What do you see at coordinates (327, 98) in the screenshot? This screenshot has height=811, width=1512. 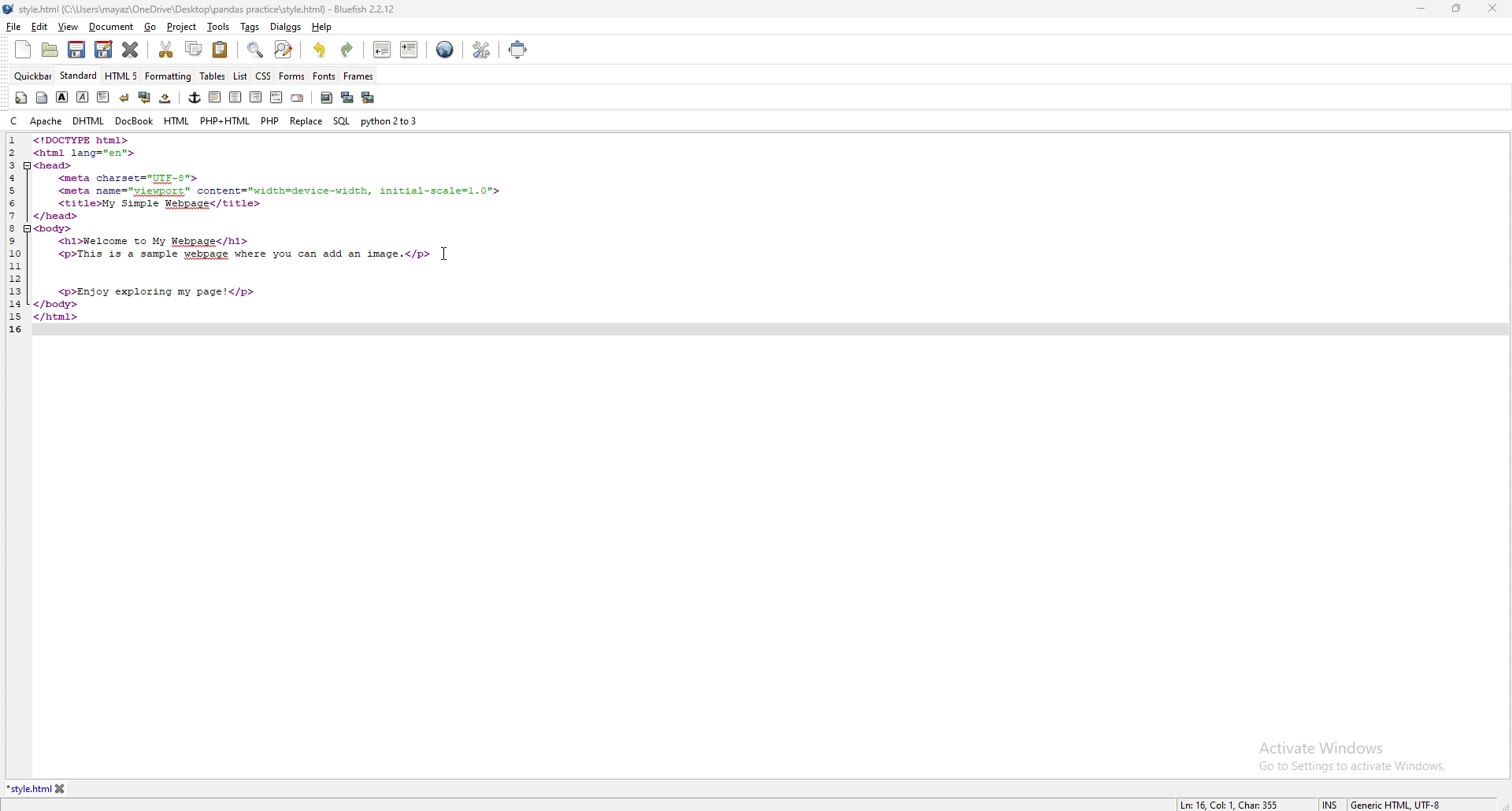 I see `insert image` at bounding box center [327, 98].